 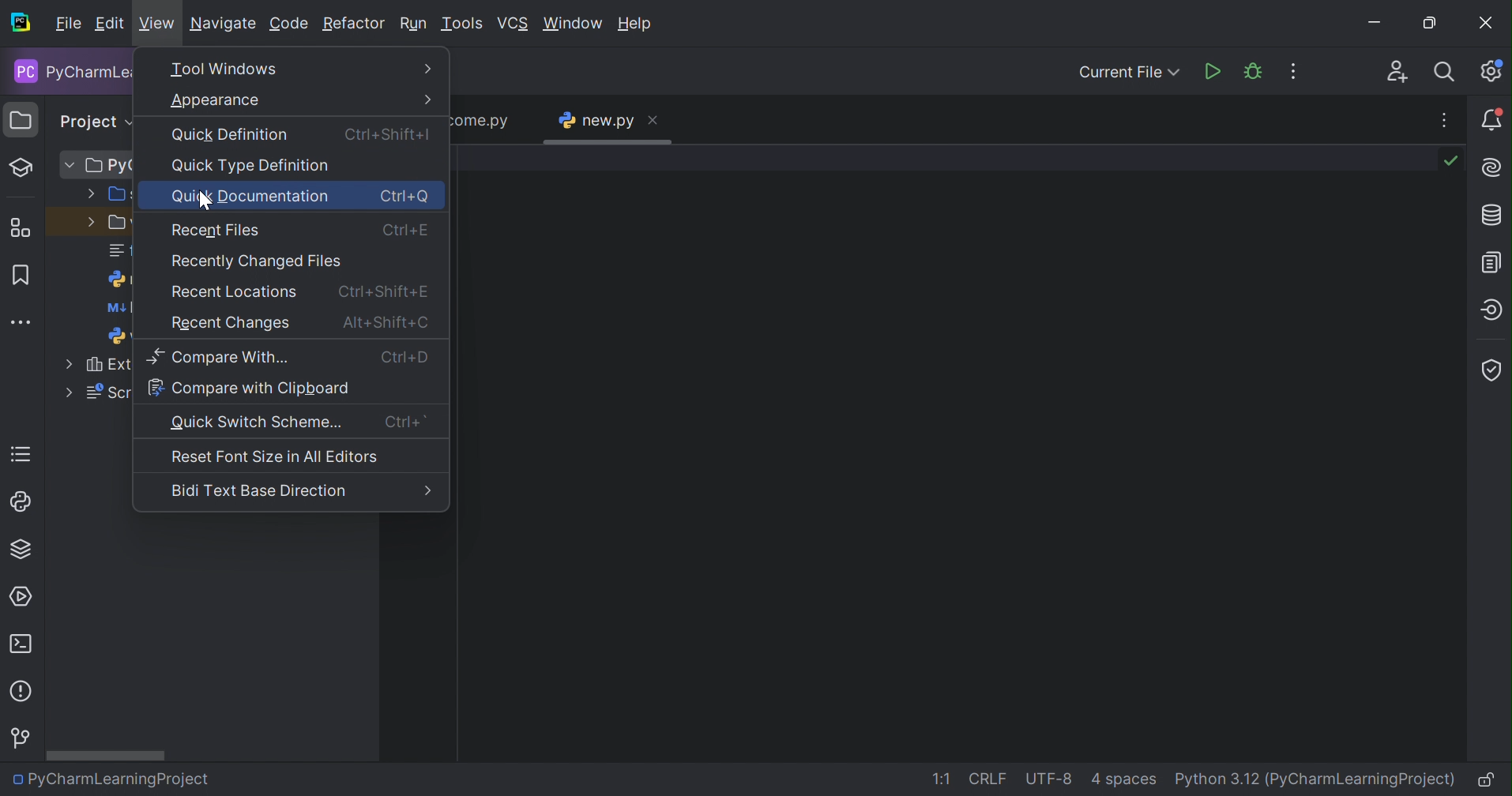 I want to click on welcome.py, so click(x=481, y=122).